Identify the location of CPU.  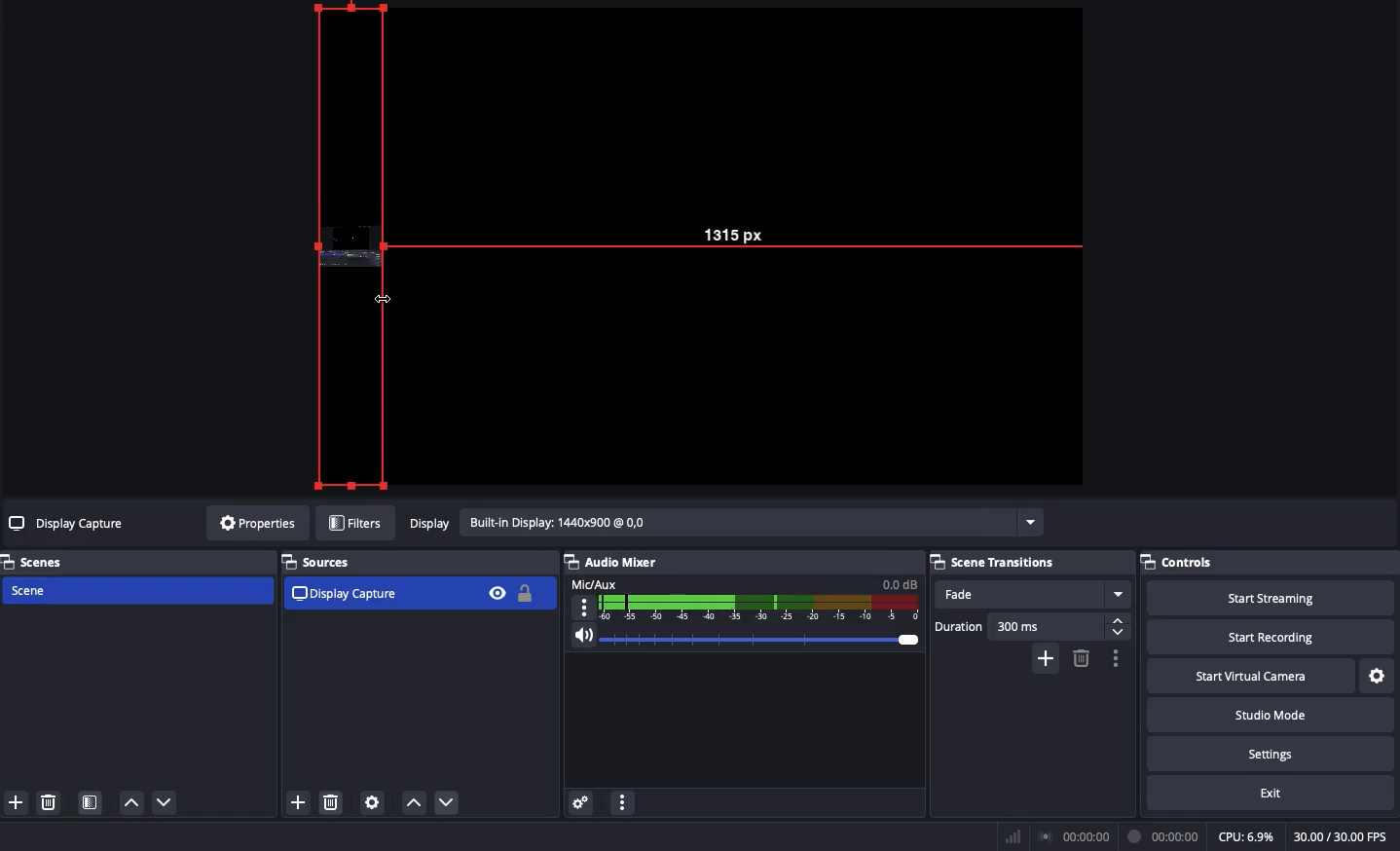
(1245, 837).